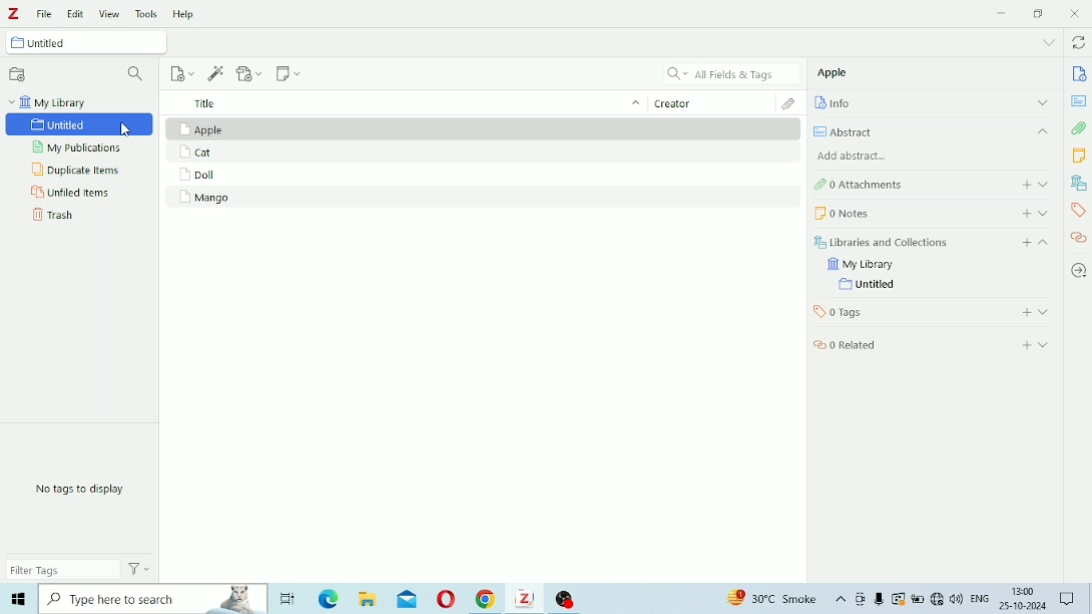 The image size is (1092, 614). I want to click on Notes, so click(1079, 156).